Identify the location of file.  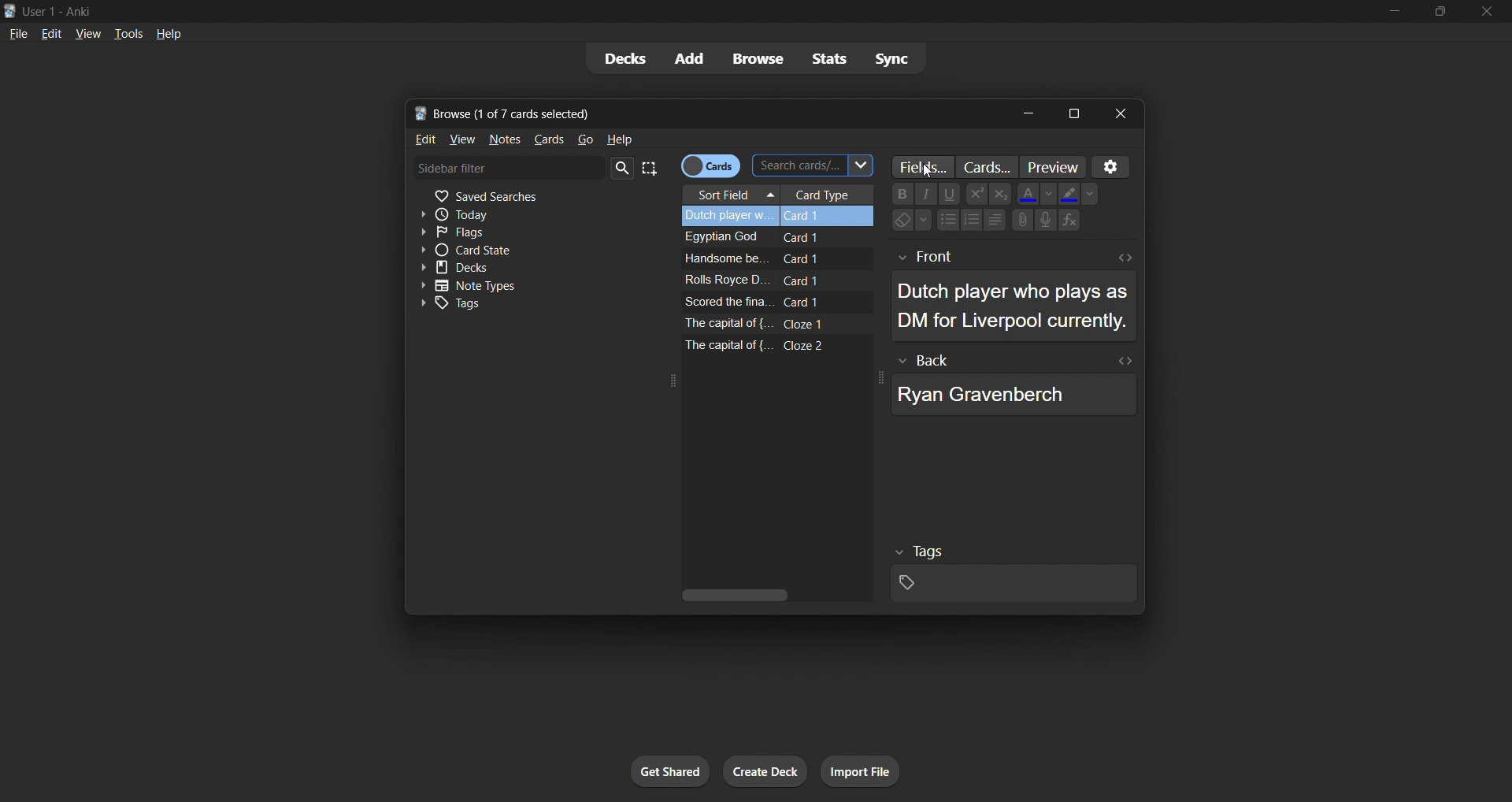
(17, 34).